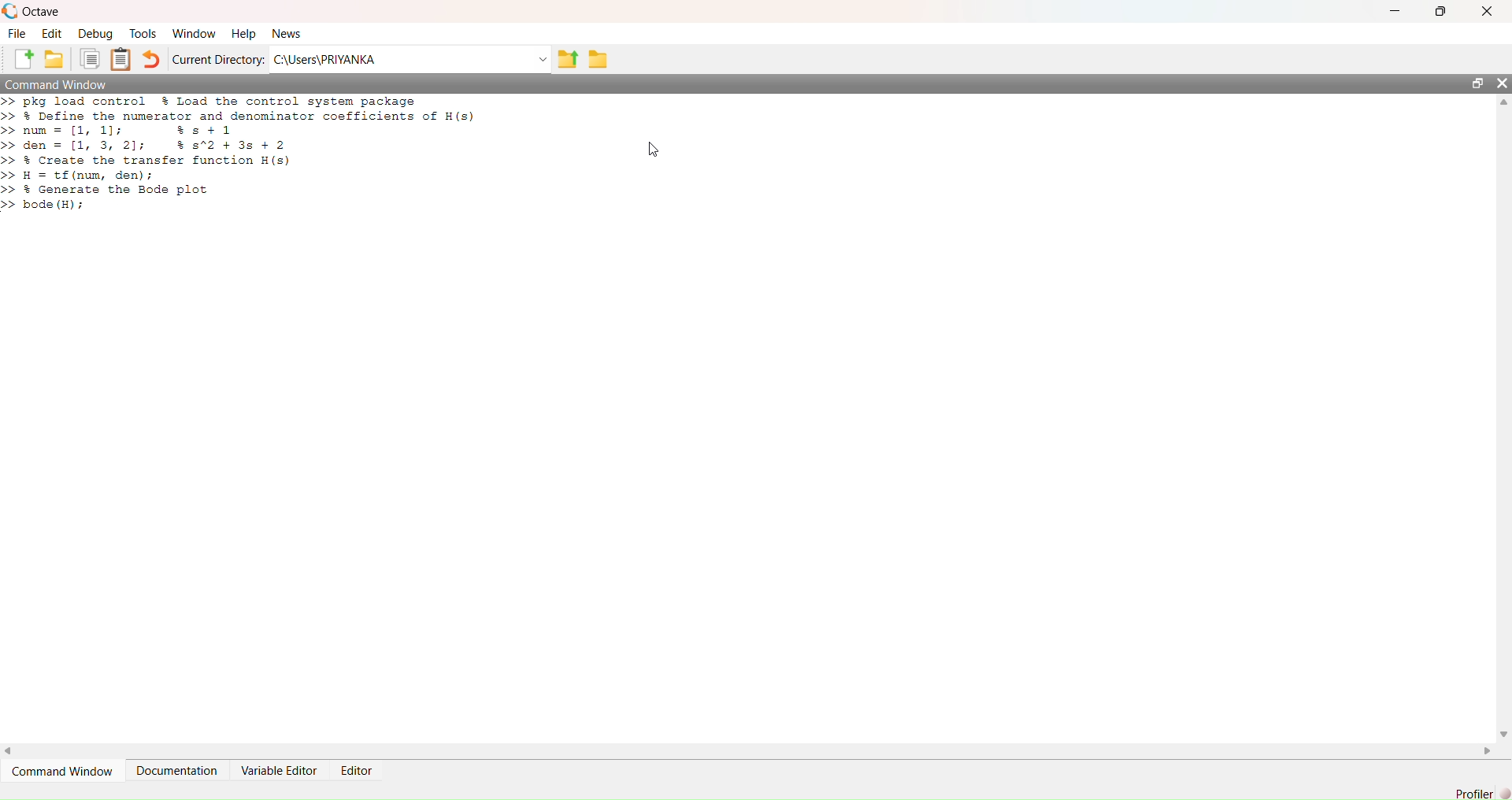 Image resolution: width=1512 pixels, height=800 pixels. I want to click on Copy, so click(90, 58).